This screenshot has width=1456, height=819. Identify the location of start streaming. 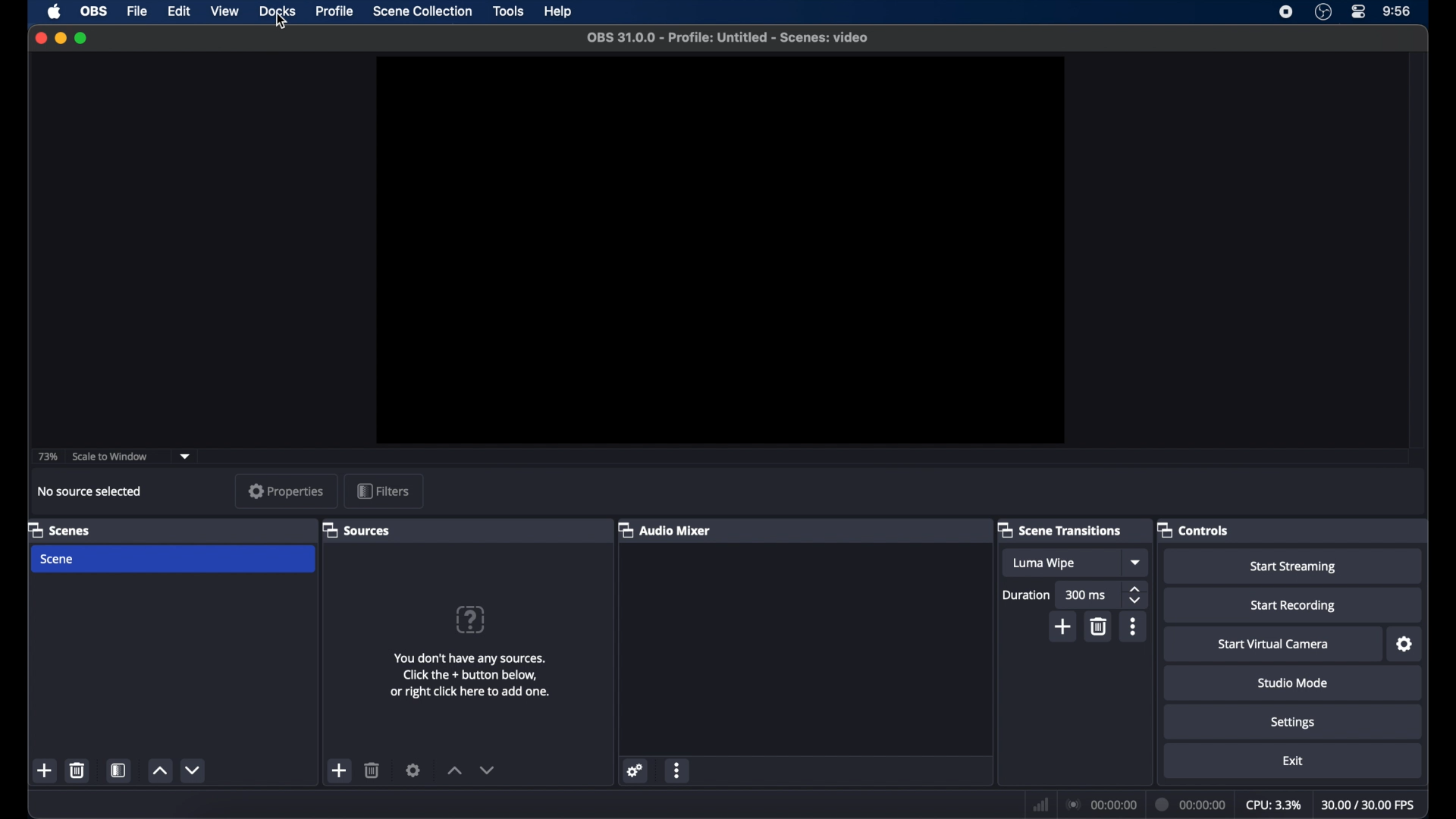
(1292, 566).